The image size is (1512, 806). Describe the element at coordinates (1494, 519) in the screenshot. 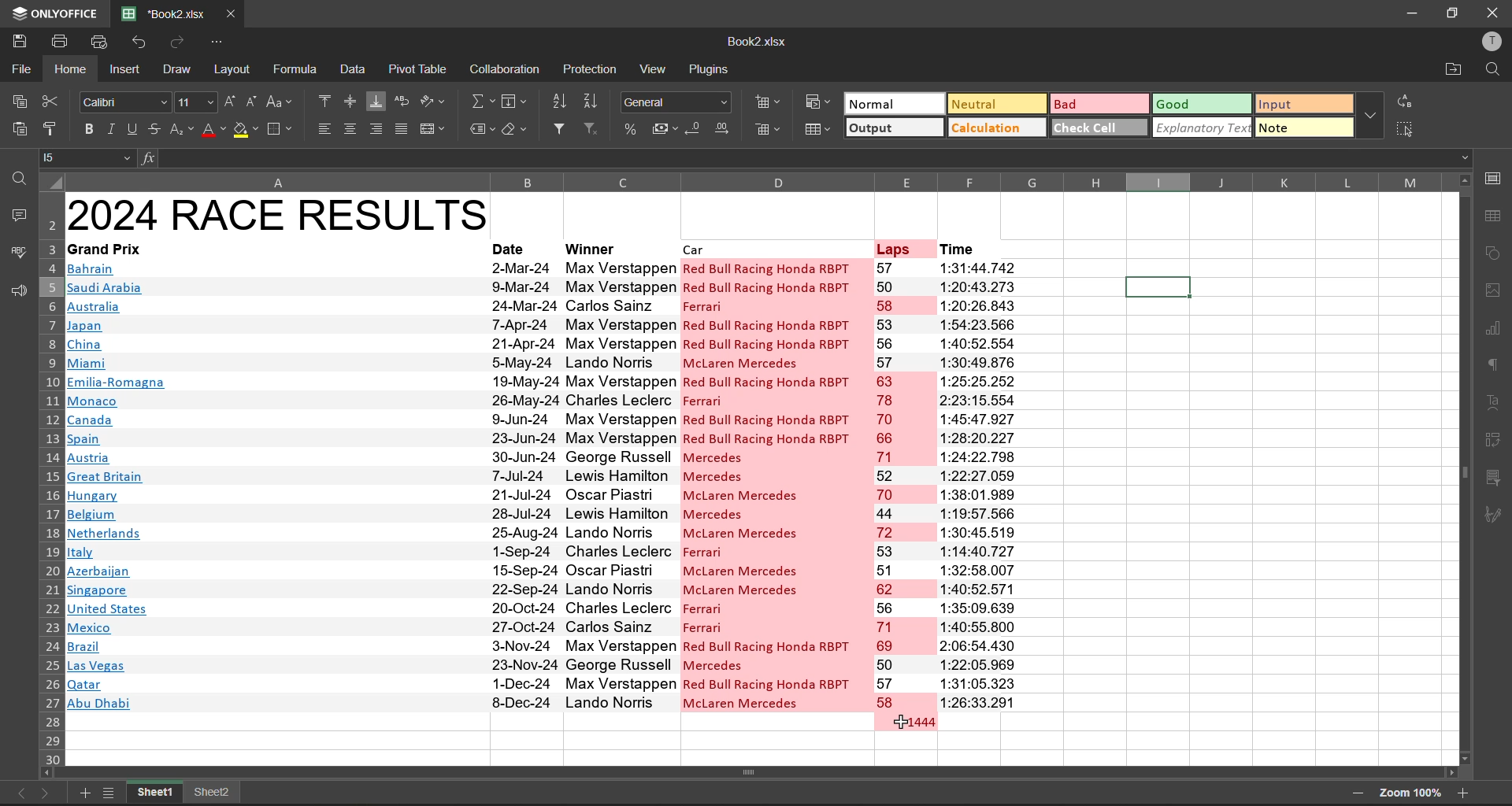

I see `signature` at that location.